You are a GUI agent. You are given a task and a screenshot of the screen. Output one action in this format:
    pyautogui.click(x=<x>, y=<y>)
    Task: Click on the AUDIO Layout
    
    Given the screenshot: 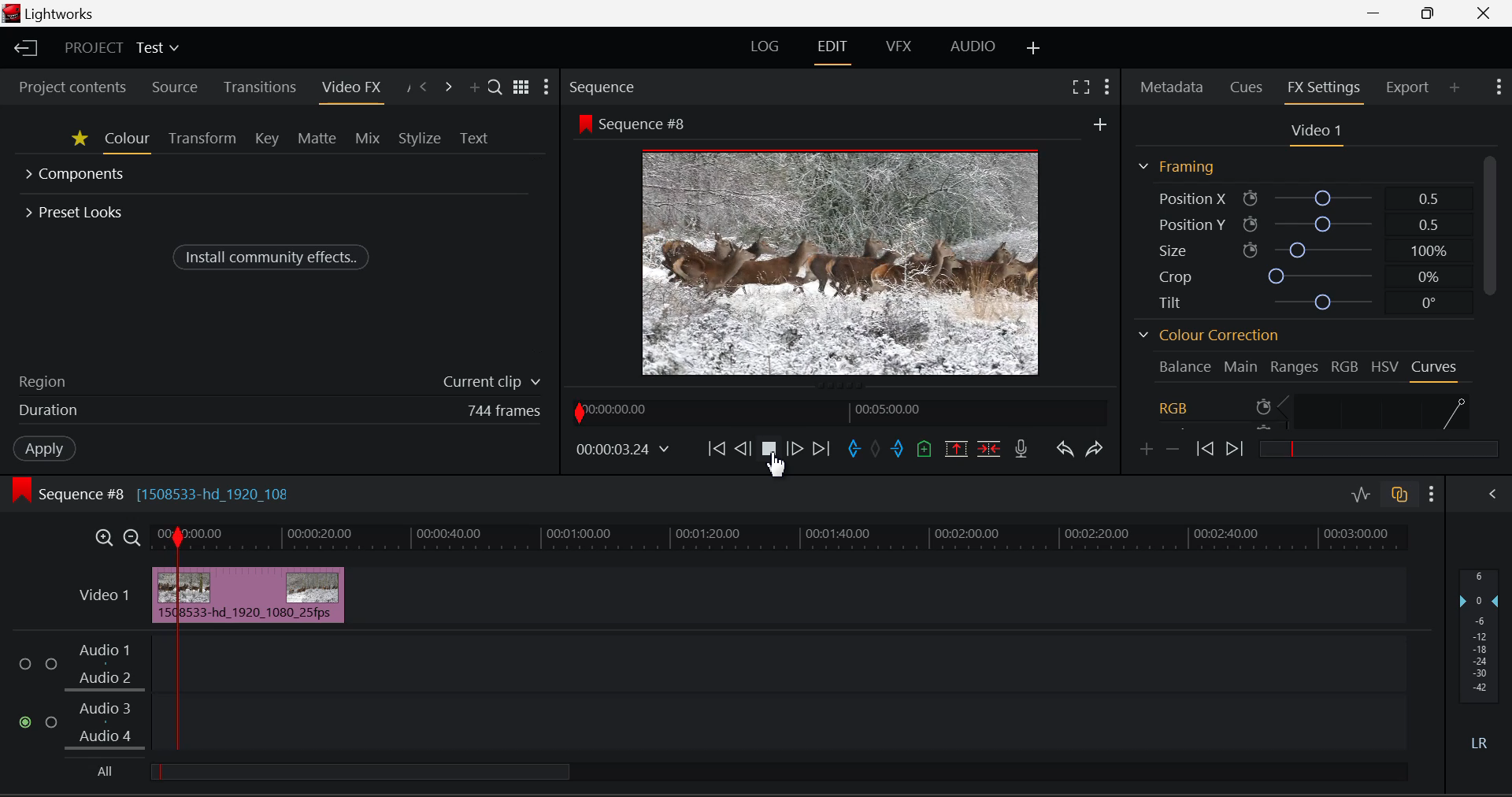 What is the action you would take?
    pyautogui.click(x=975, y=46)
    